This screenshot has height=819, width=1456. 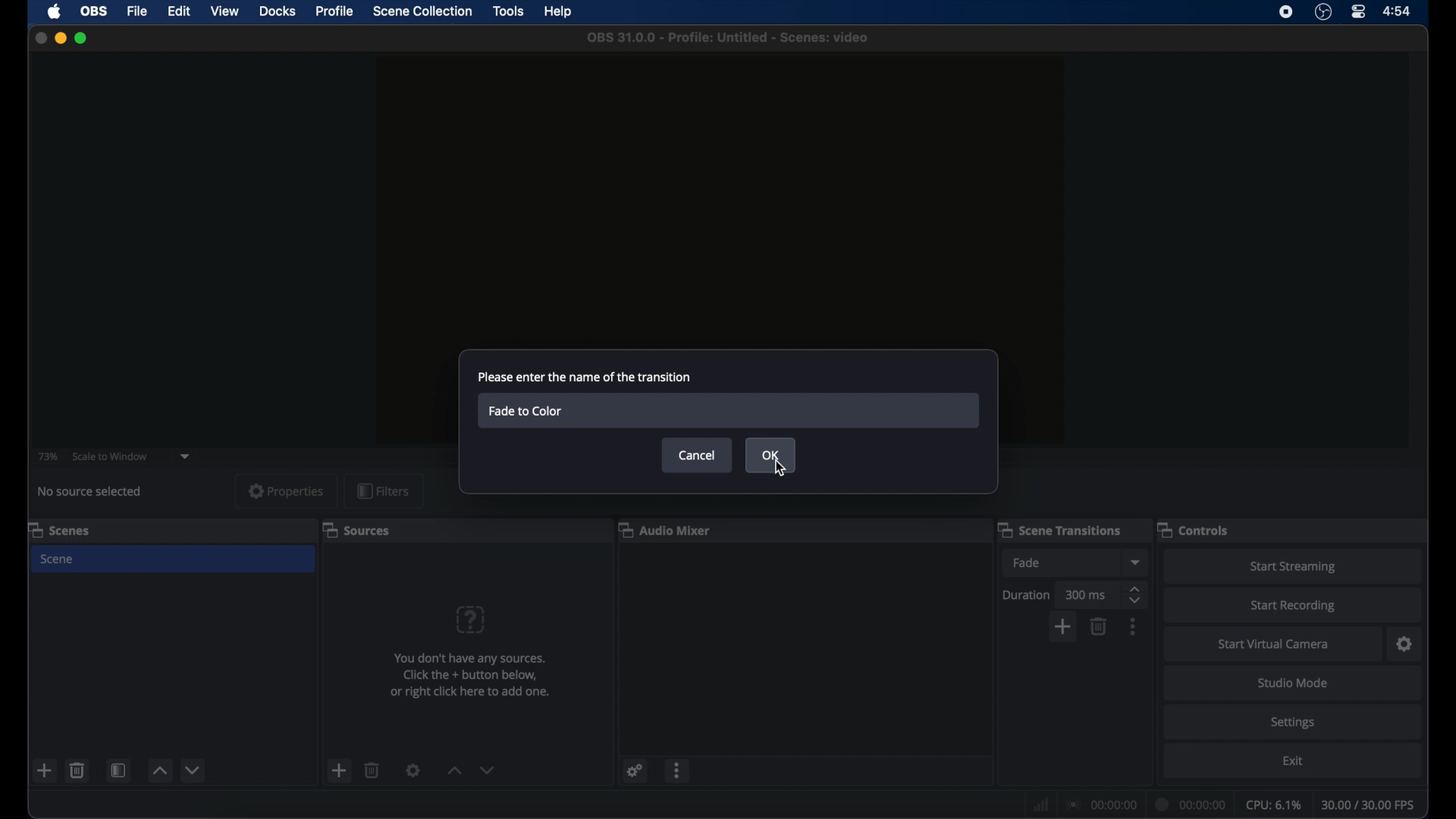 What do you see at coordinates (1370, 805) in the screenshot?
I see `fps` at bounding box center [1370, 805].